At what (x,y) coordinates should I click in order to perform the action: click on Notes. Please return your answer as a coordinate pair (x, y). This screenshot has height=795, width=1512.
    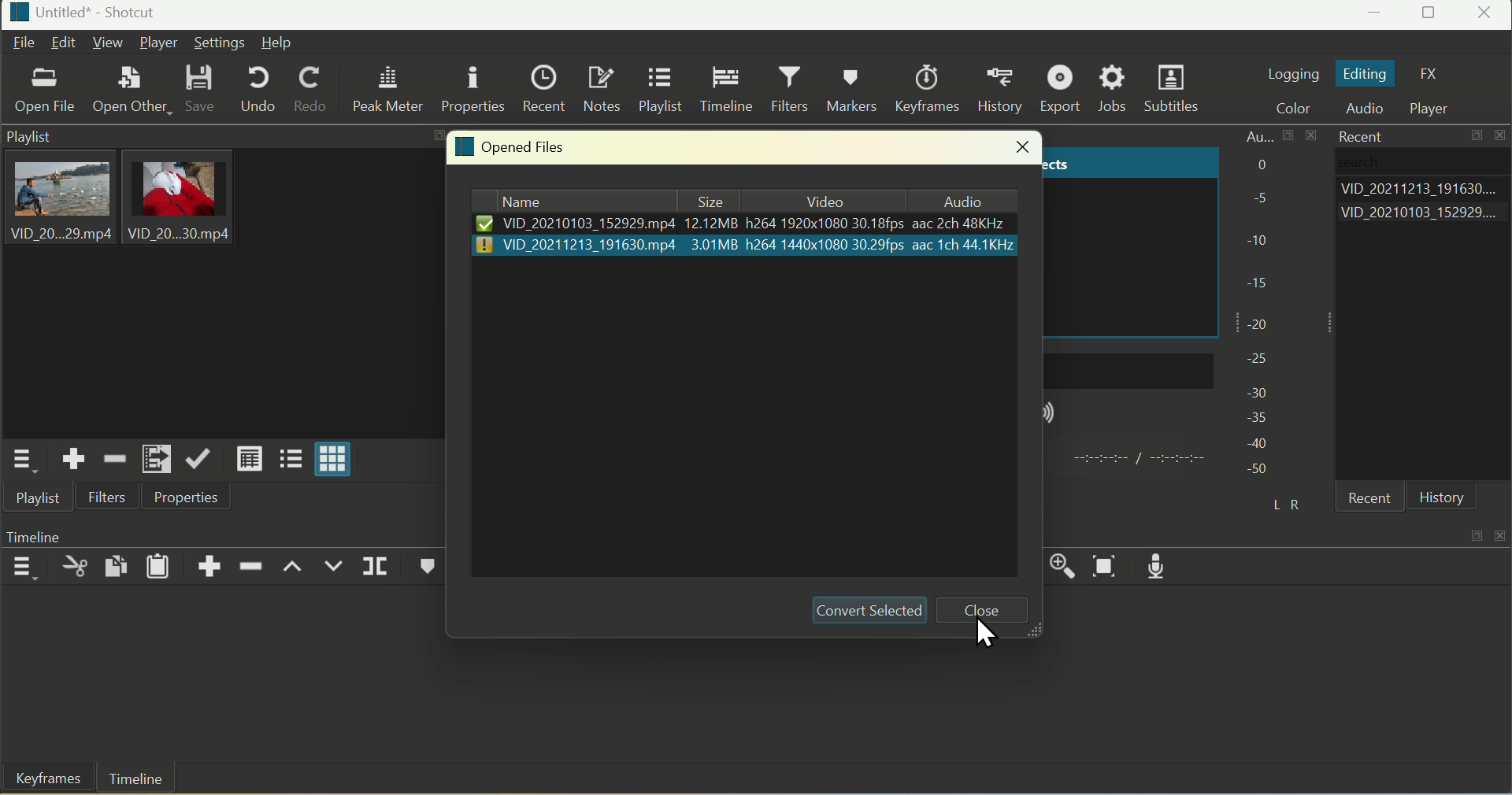
    Looking at the image, I should click on (602, 88).